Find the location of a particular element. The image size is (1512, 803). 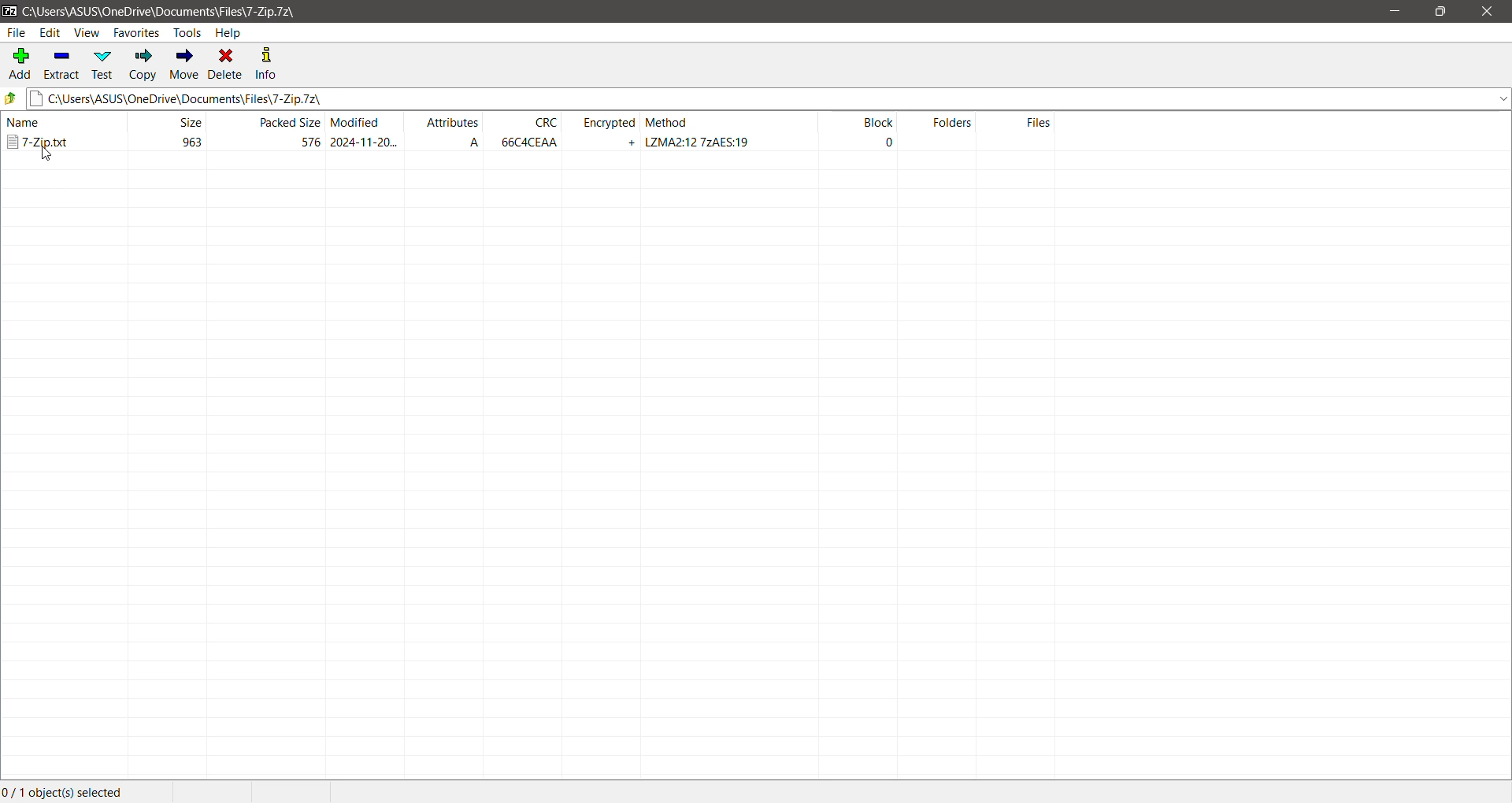

CRC is located at coordinates (528, 132).